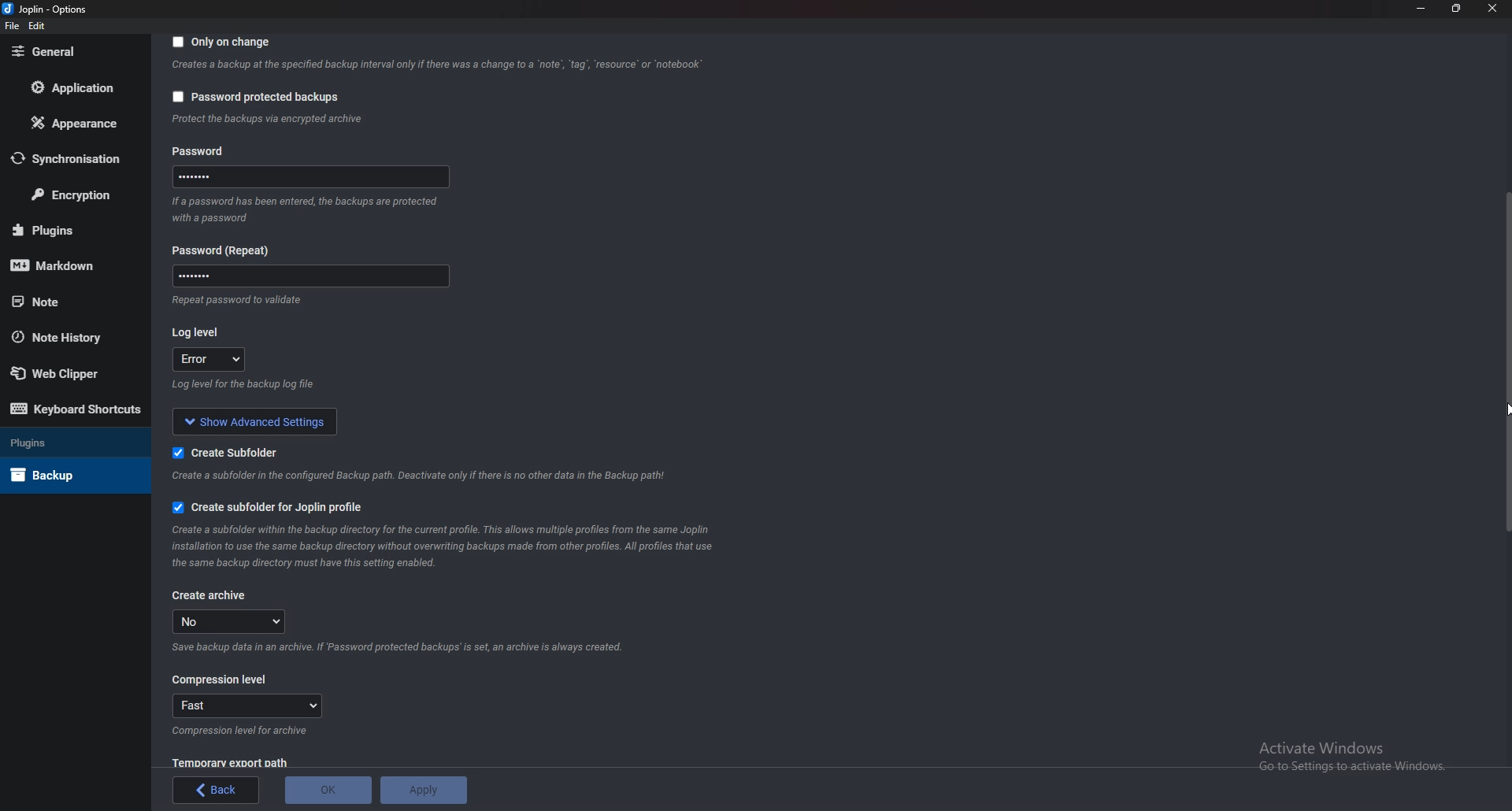  Describe the element at coordinates (1503, 409) in the screenshot. I see `cursor` at that location.